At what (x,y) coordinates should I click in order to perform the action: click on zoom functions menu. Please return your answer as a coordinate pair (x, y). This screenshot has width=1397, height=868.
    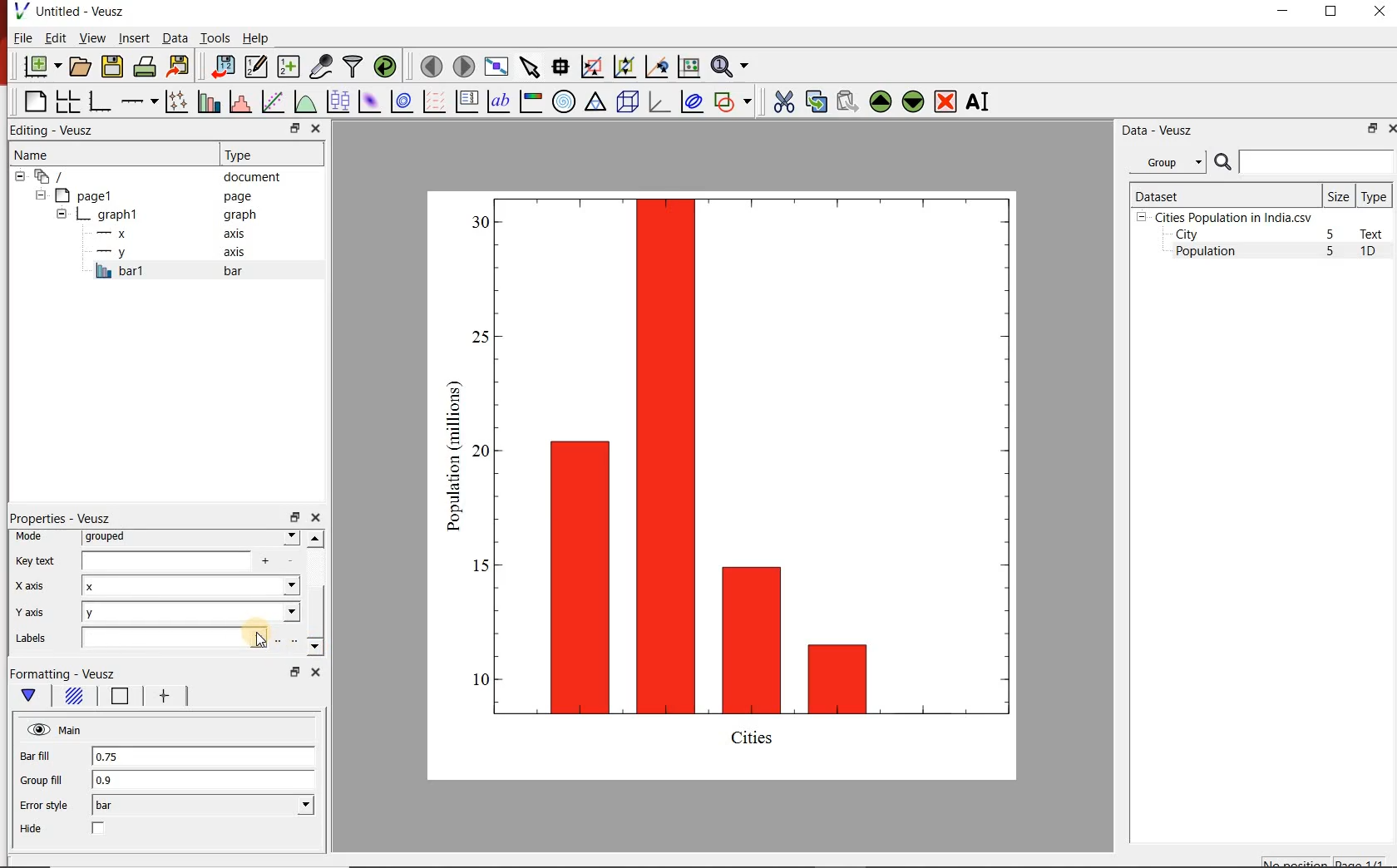
    Looking at the image, I should click on (733, 67).